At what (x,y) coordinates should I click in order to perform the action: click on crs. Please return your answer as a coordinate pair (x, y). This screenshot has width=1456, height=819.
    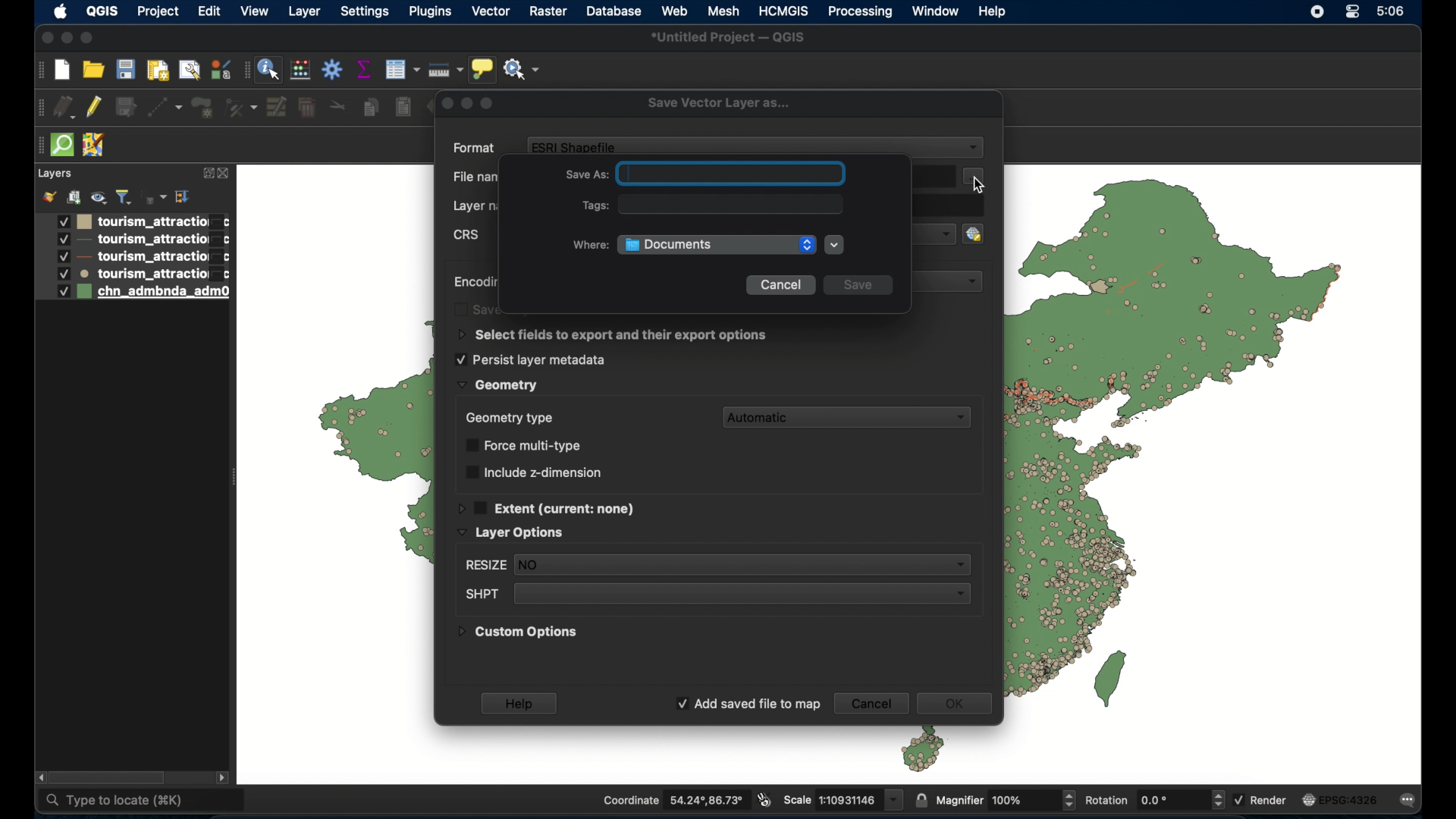
    Looking at the image, I should click on (468, 237).